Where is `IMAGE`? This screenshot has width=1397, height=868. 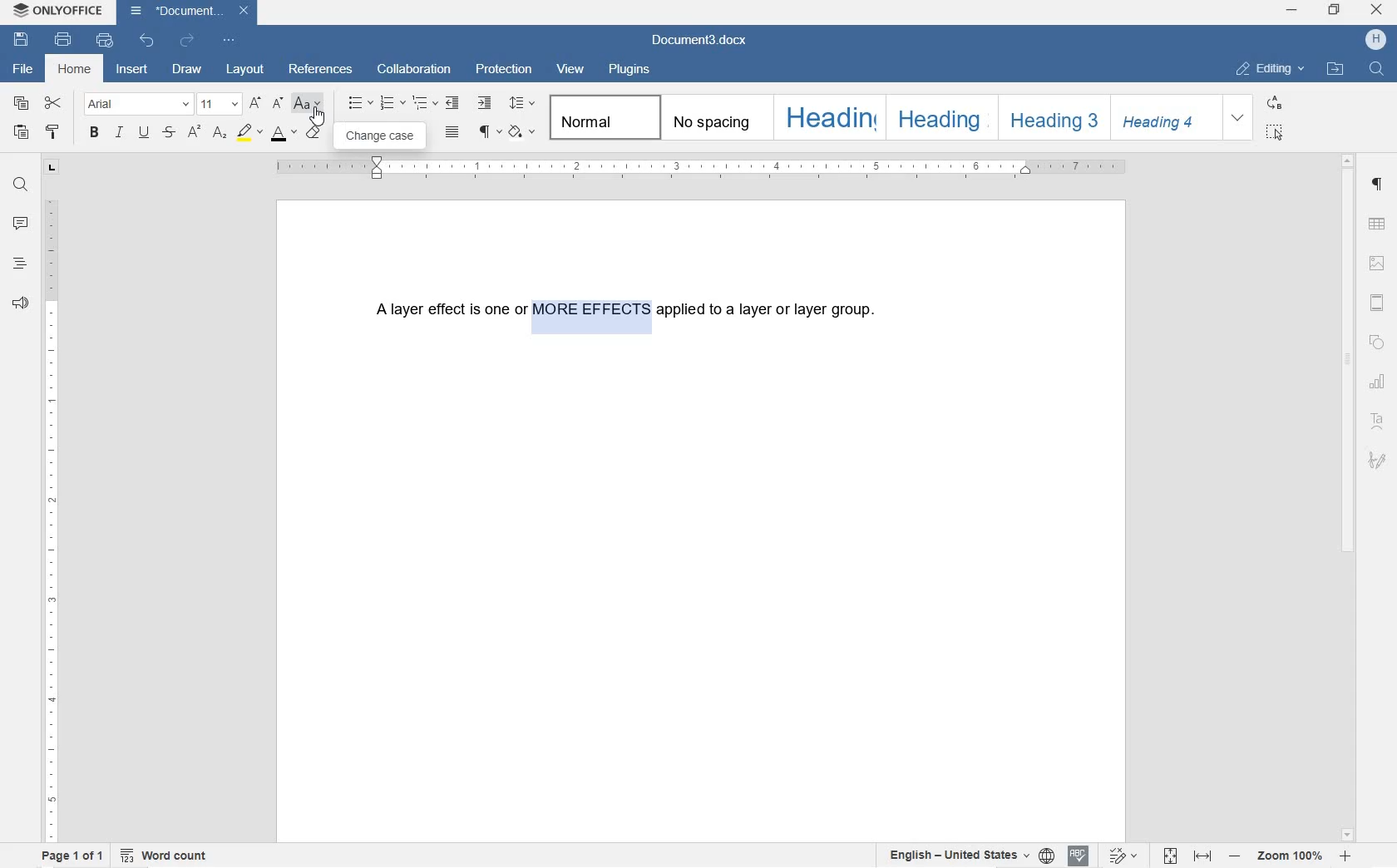 IMAGE is located at coordinates (1380, 264).